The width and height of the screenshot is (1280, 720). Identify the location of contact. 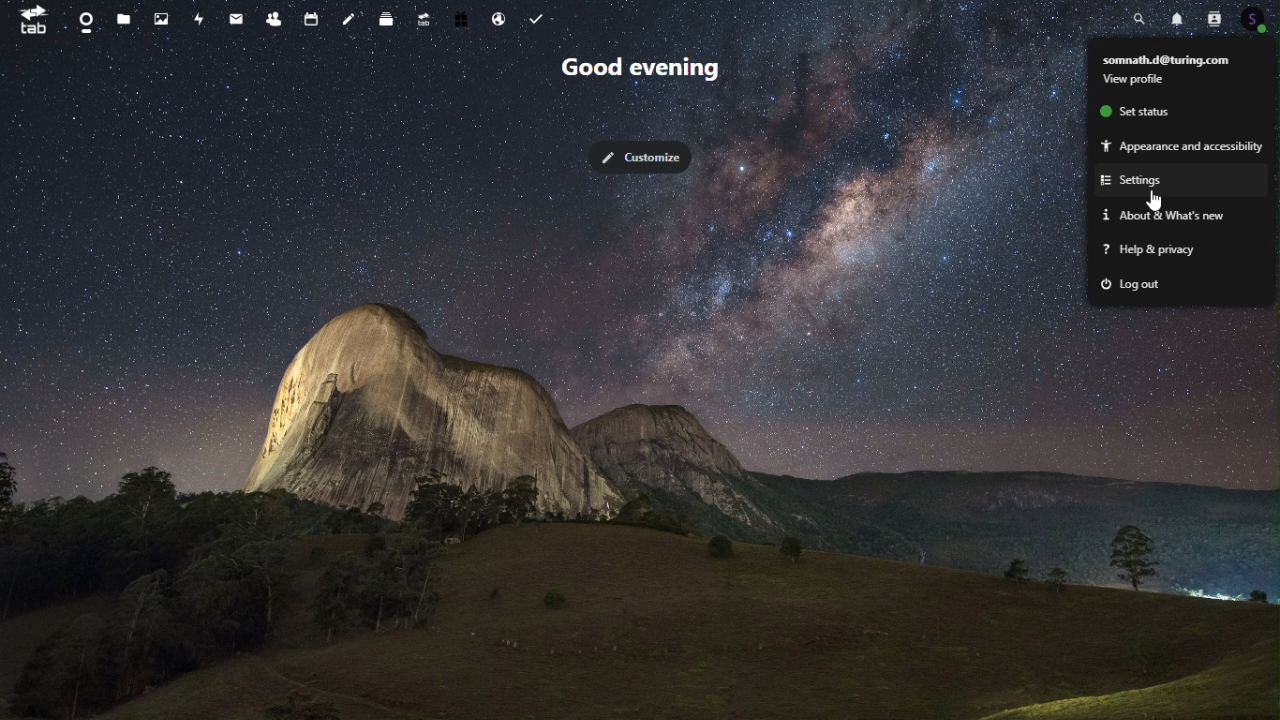
(1215, 19).